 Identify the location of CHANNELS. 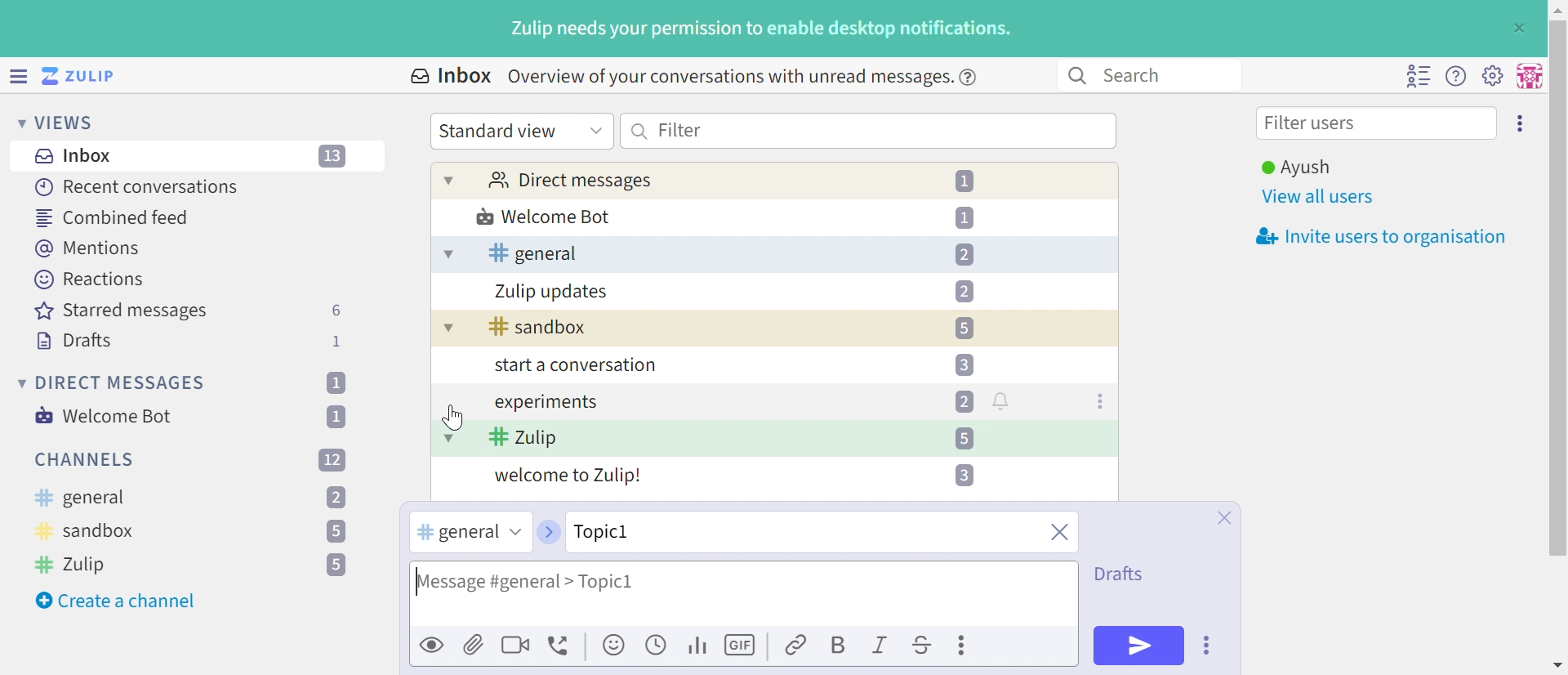
(86, 460).